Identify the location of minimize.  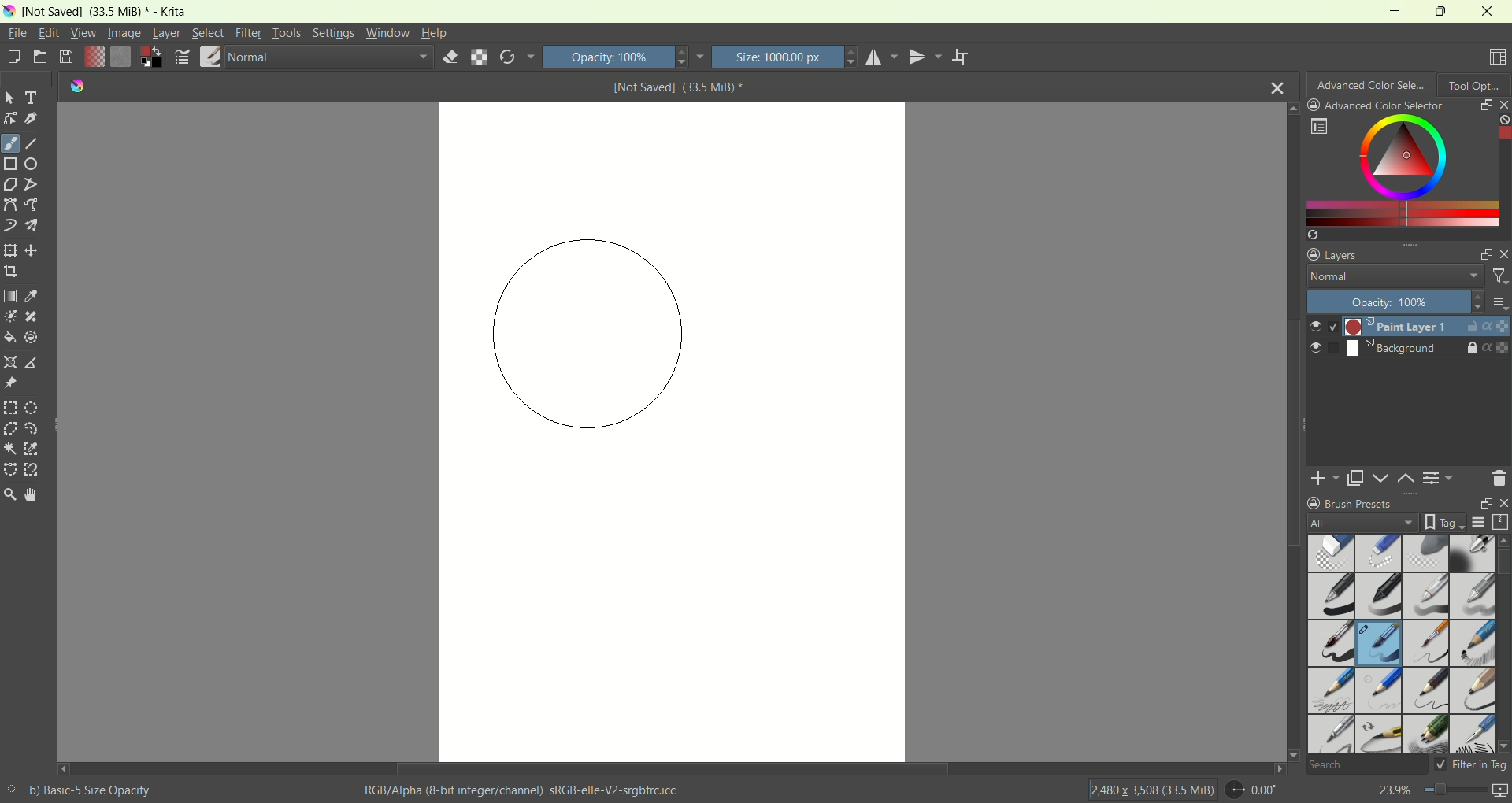
(1388, 10).